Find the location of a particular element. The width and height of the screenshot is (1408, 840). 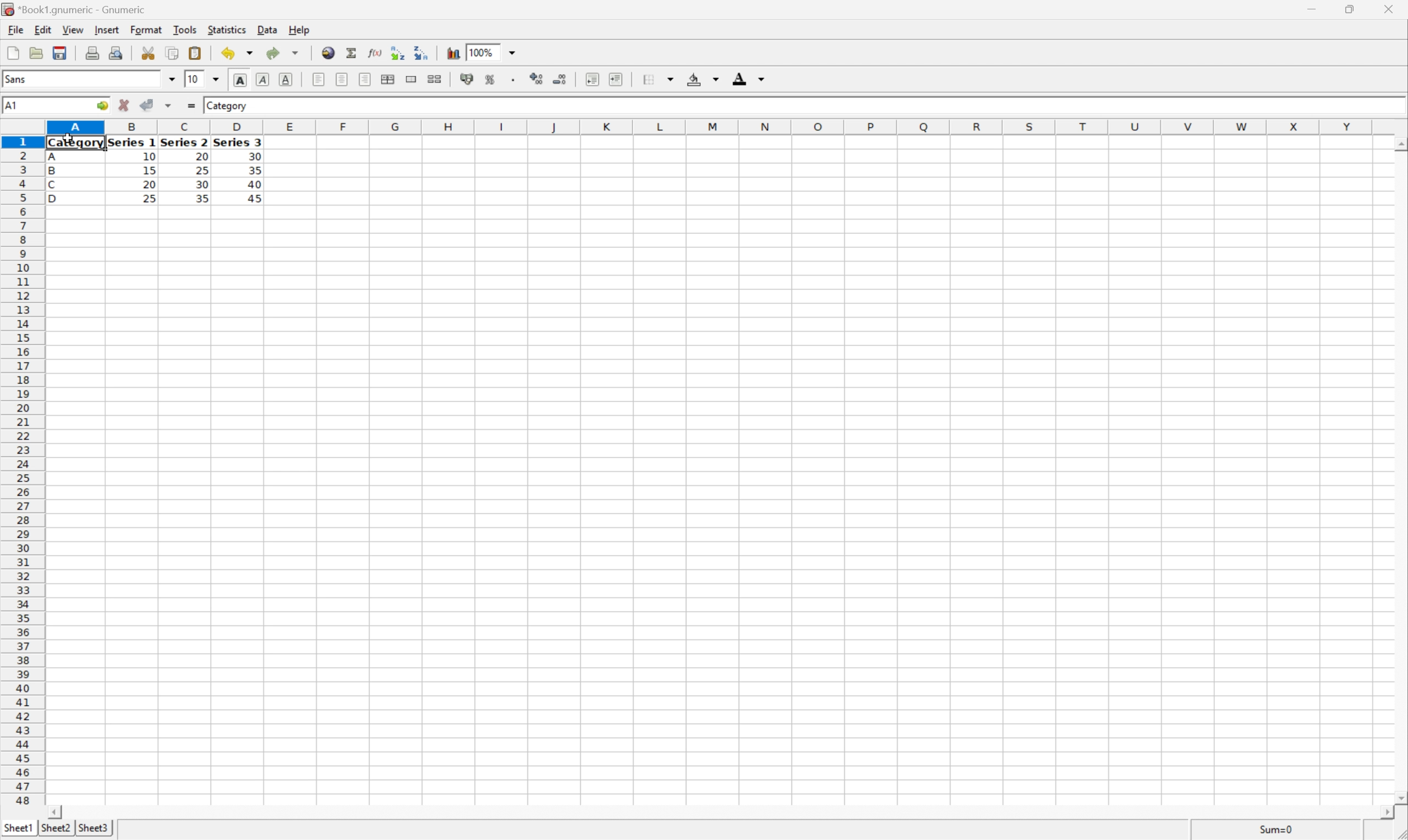

Insert a hyperlink is located at coordinates (328, 52).